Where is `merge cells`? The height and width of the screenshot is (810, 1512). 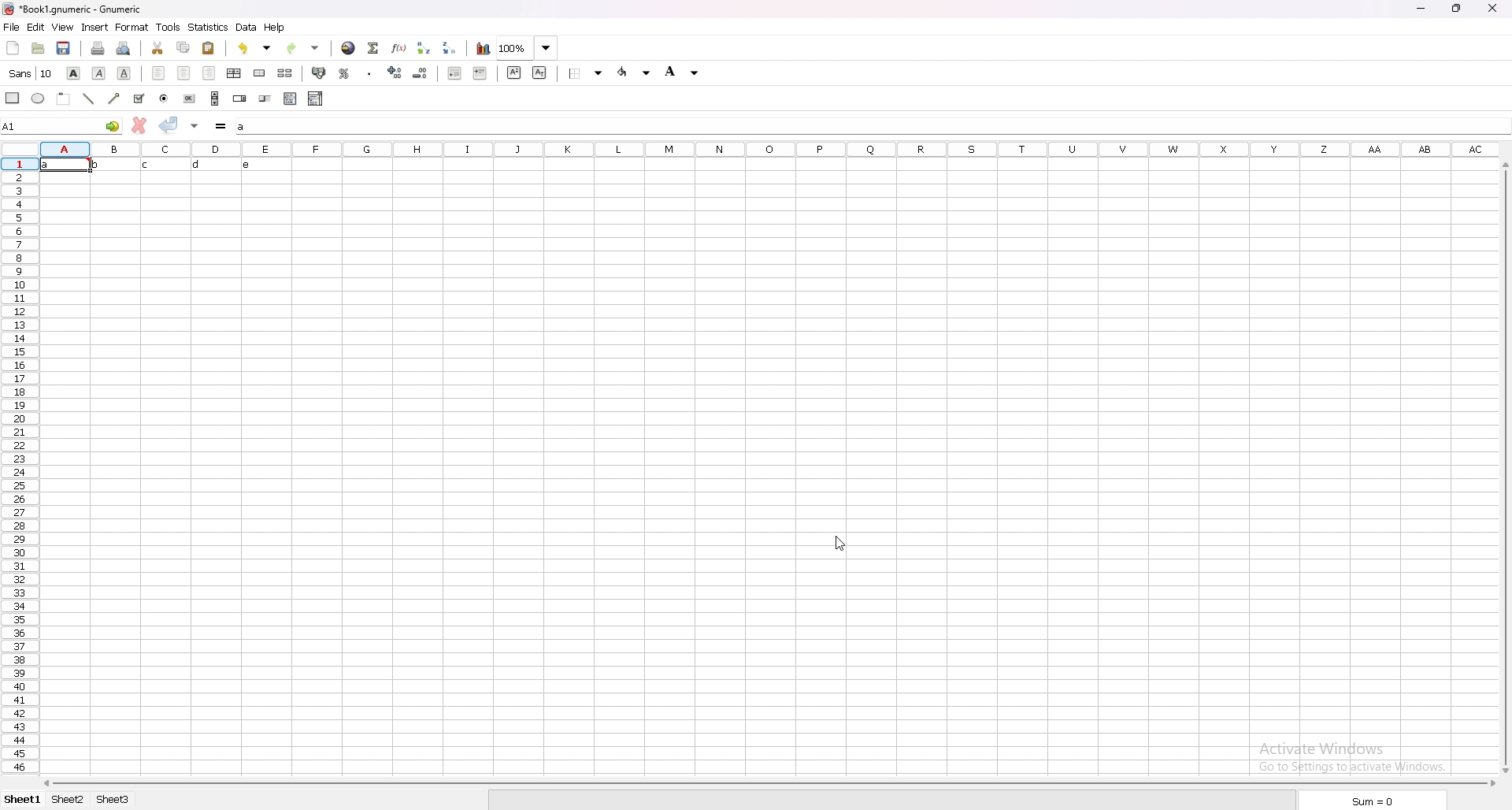 merge cells is located at coordinates (259, 72).